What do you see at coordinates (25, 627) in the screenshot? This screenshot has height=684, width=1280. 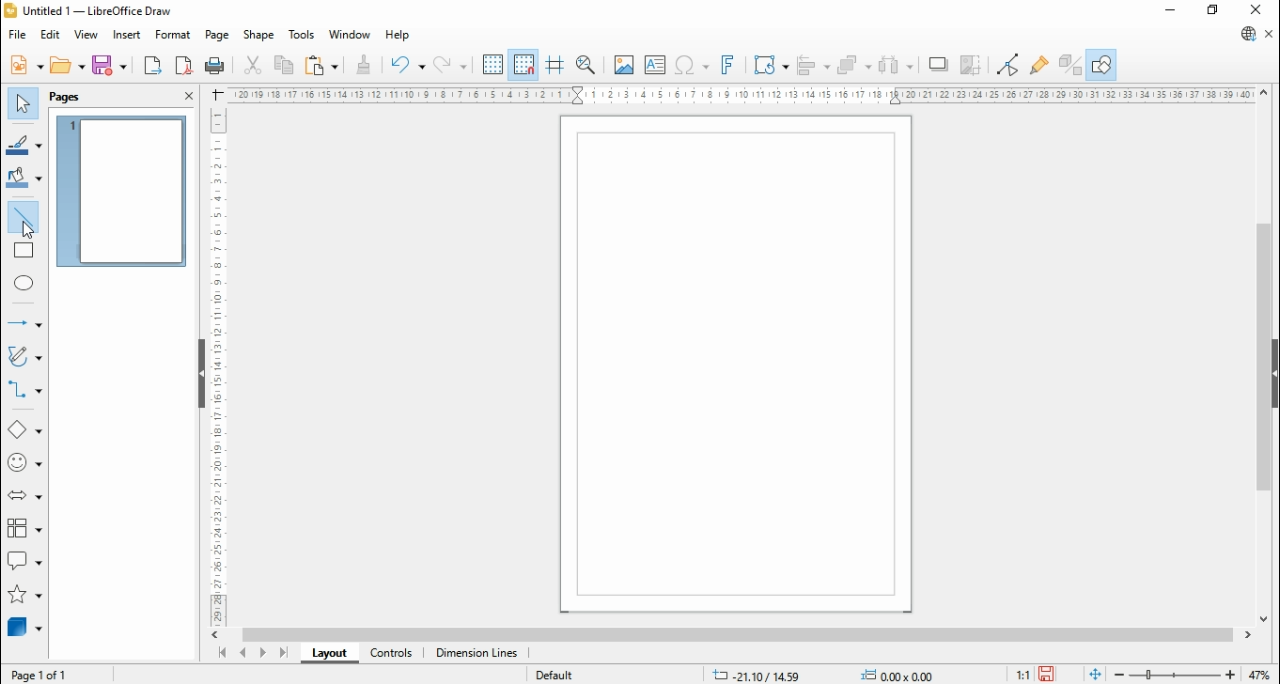 I see `3D objects` at bounding box center [25, 627].